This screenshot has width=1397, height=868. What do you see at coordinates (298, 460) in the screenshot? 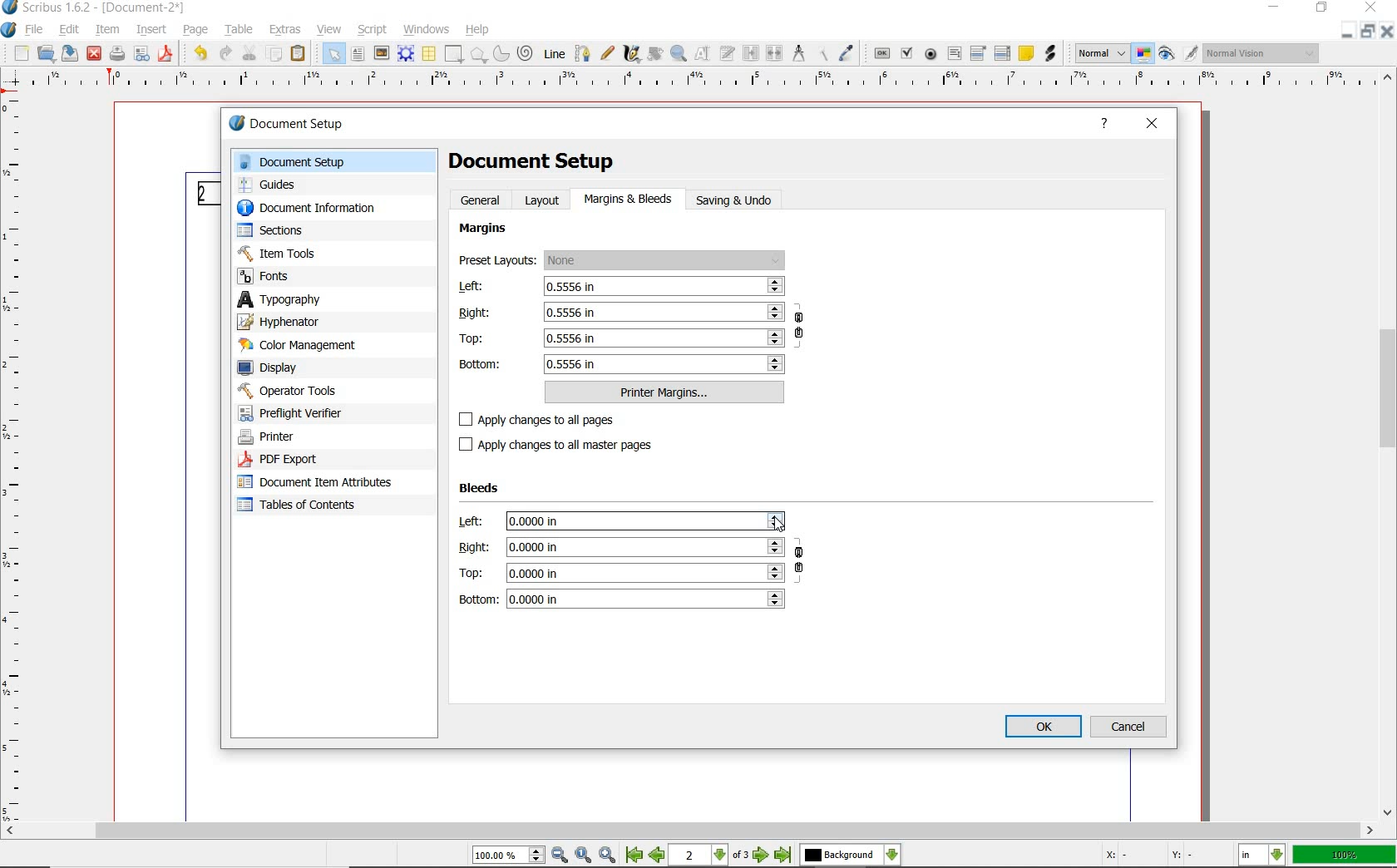
I see `pdf export` at bounding box center [298, 460].